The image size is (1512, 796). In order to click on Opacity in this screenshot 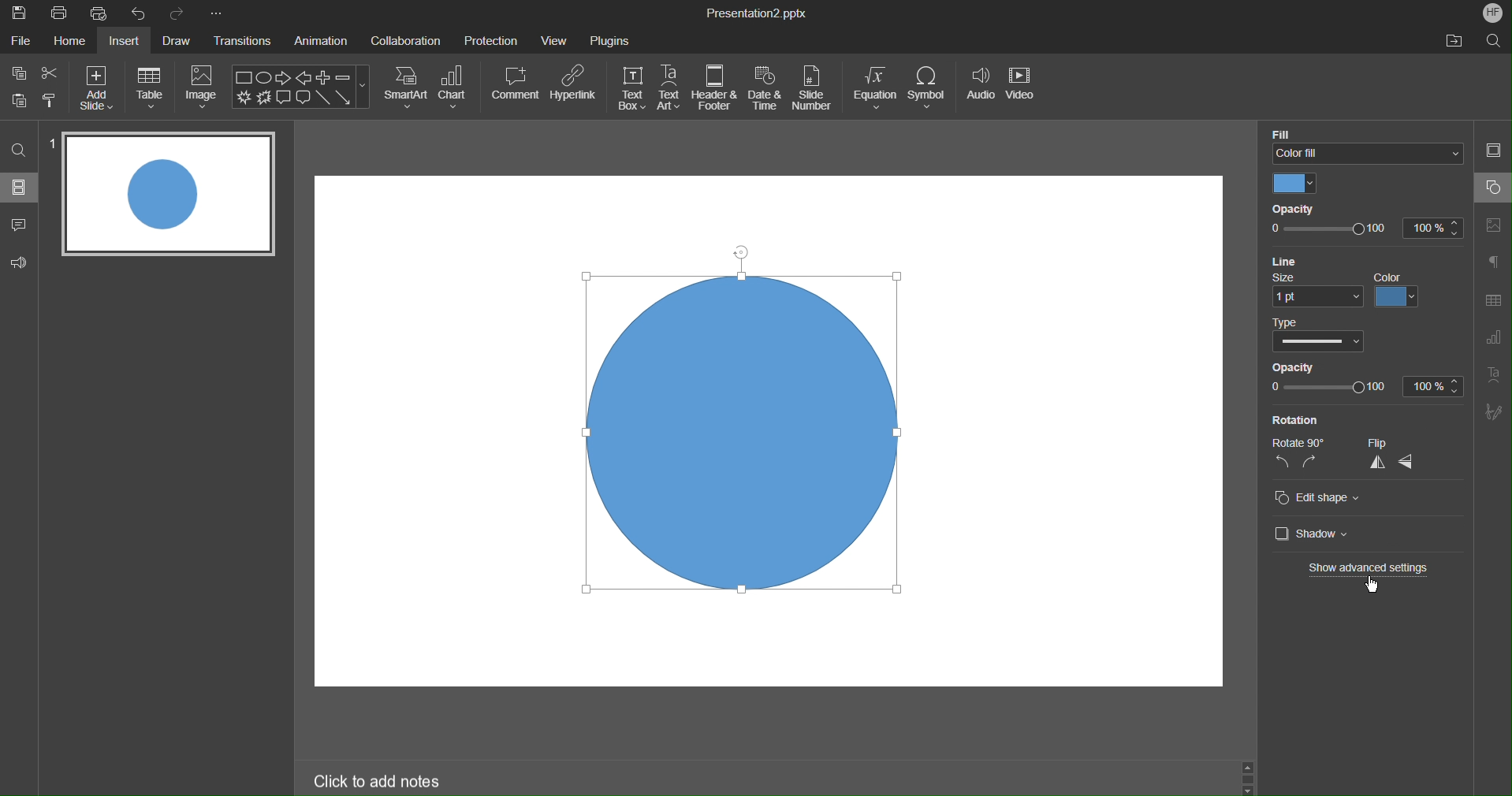, I will do `click(1292, 366)`.